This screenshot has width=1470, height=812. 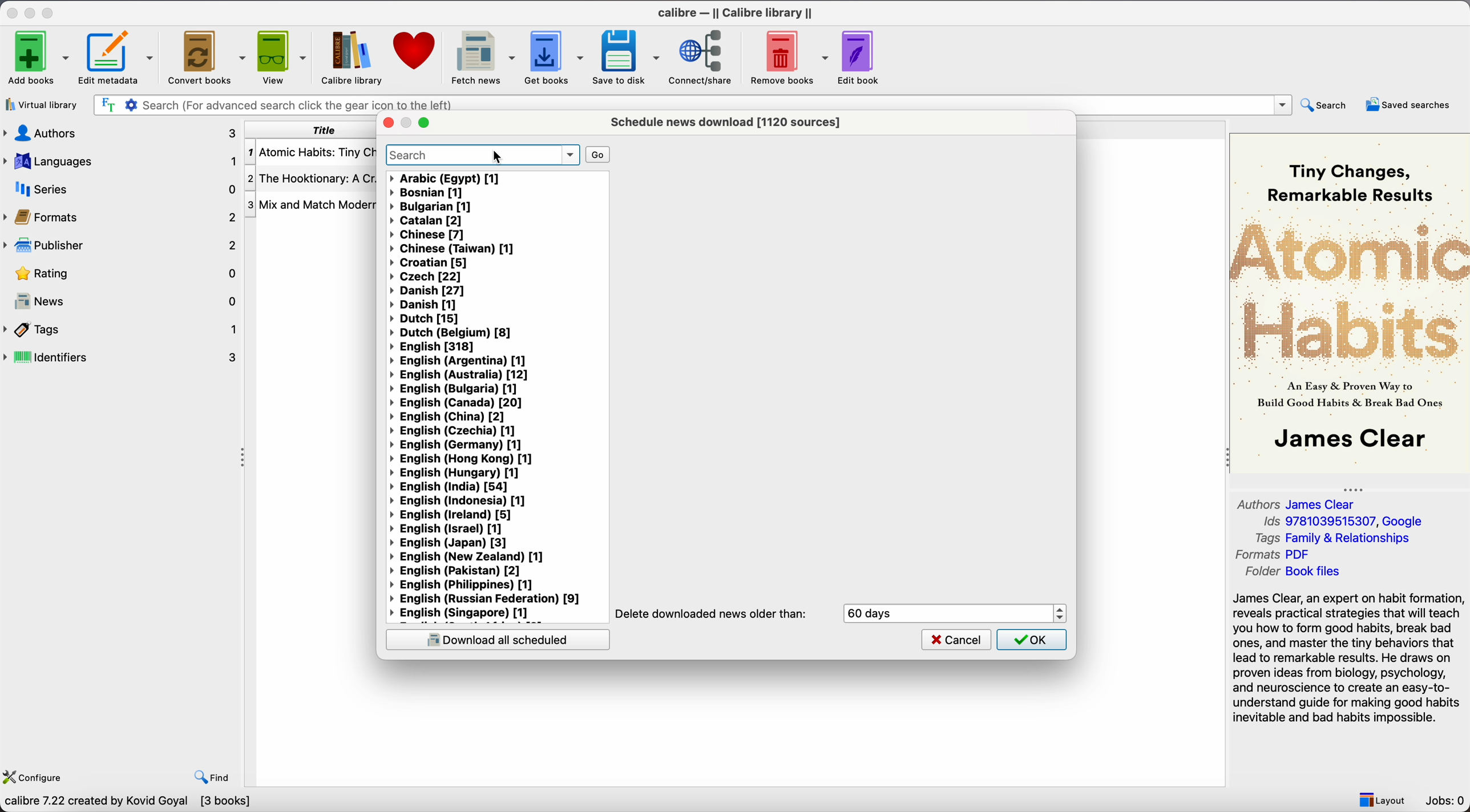 What do you see at coordinates (119, 273) in the screenshot?
I see `rating` at bounding box center [119, 273].